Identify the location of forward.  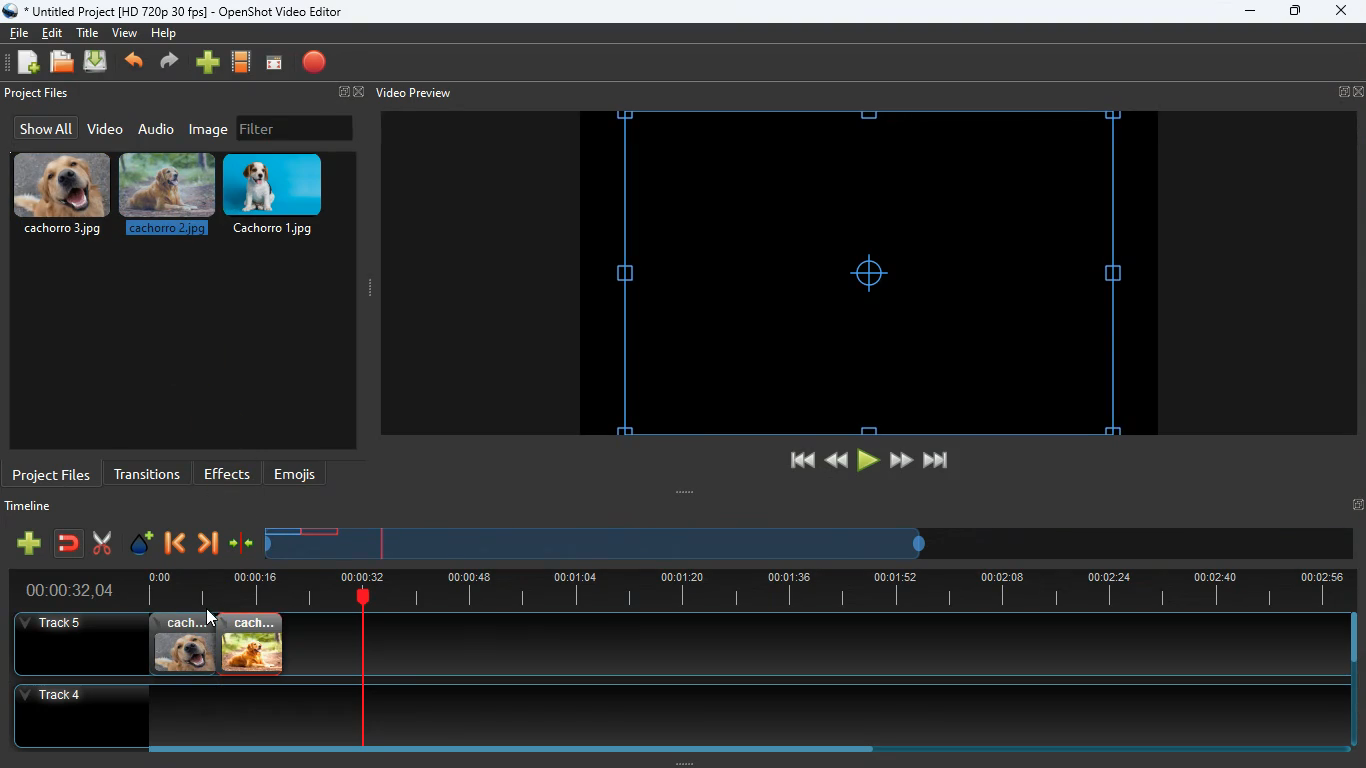
(207, 545).